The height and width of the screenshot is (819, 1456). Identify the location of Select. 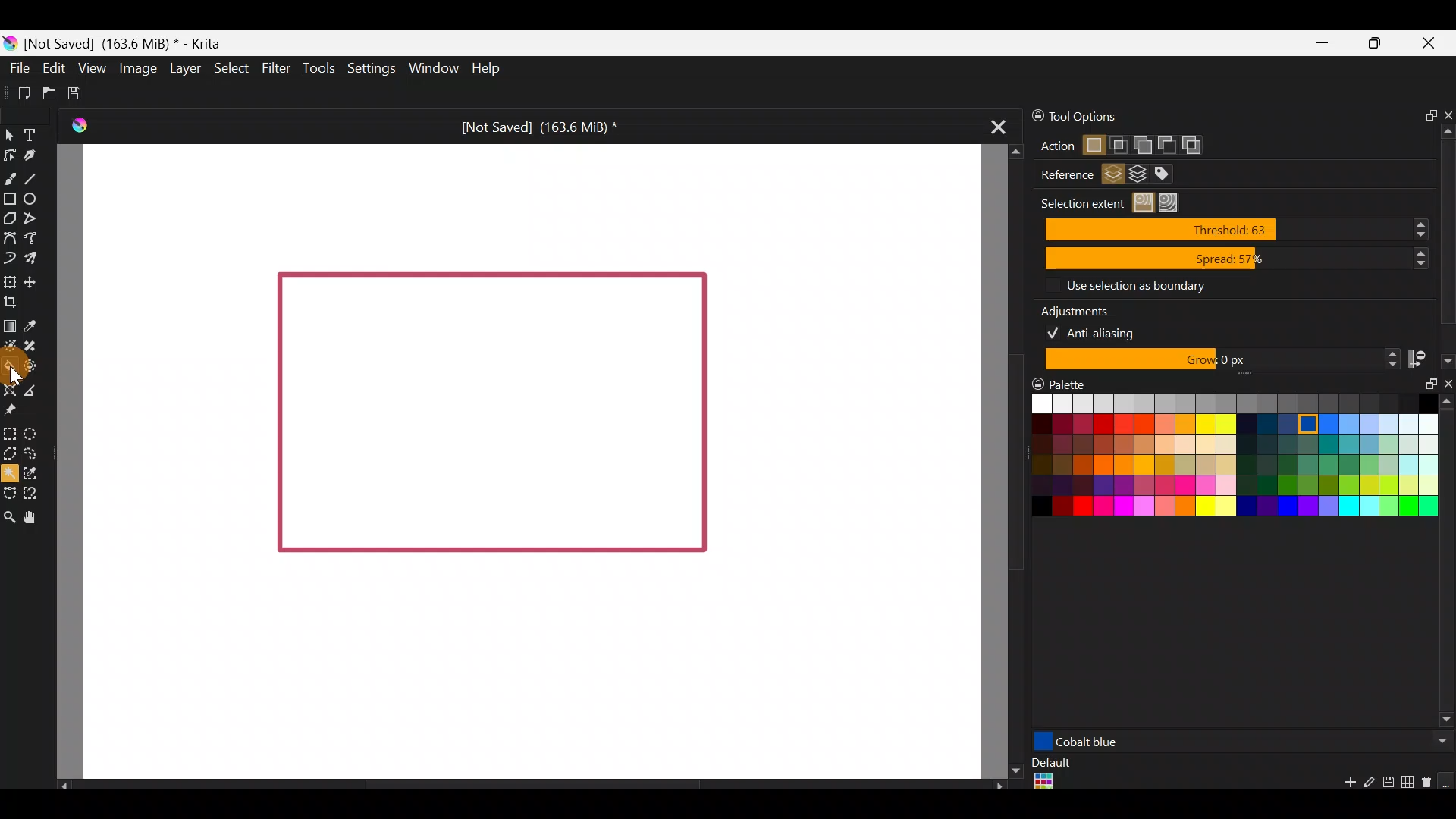
(230, 68).